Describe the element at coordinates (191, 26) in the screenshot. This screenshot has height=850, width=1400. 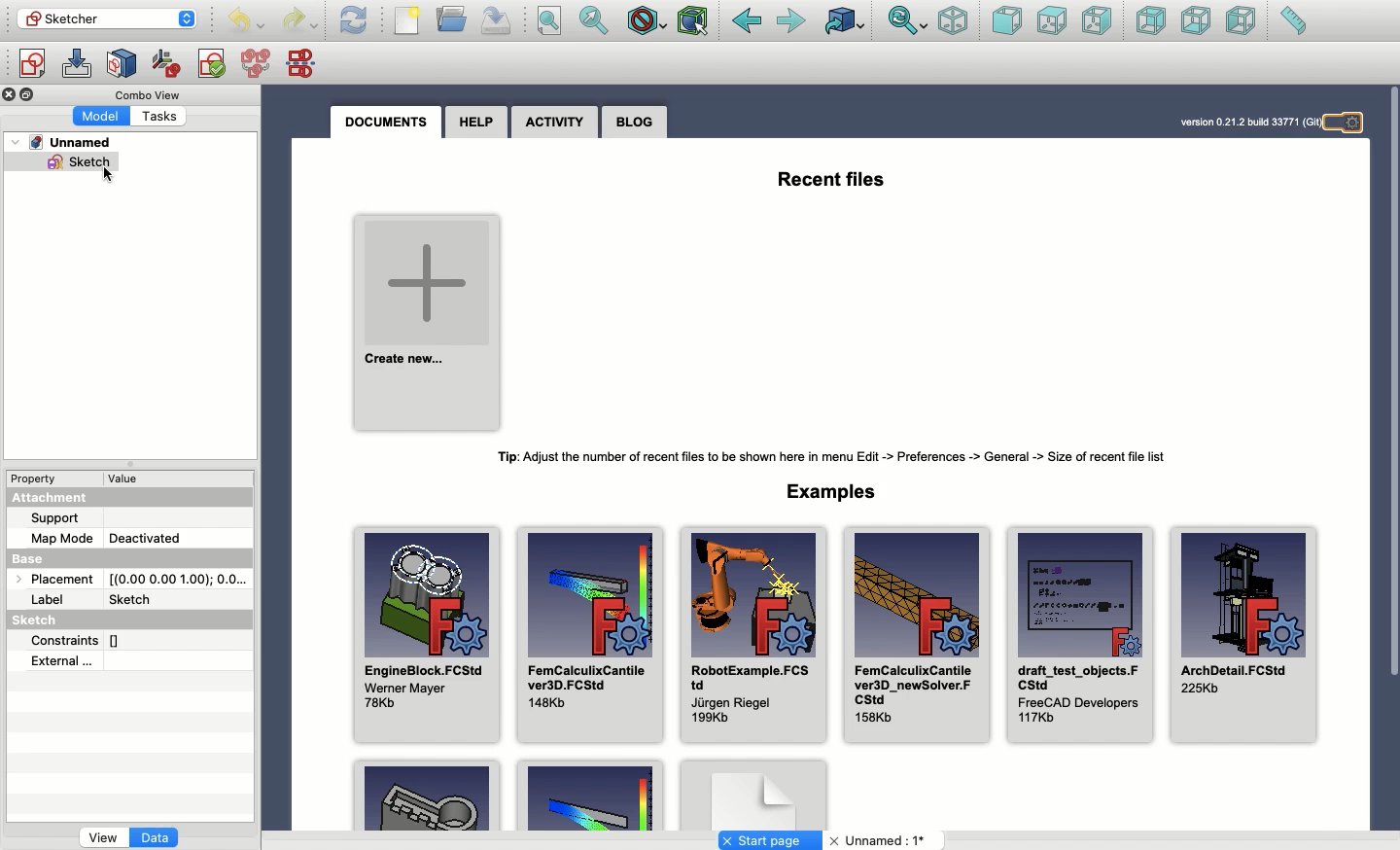
I see `Down arrow` at that location.